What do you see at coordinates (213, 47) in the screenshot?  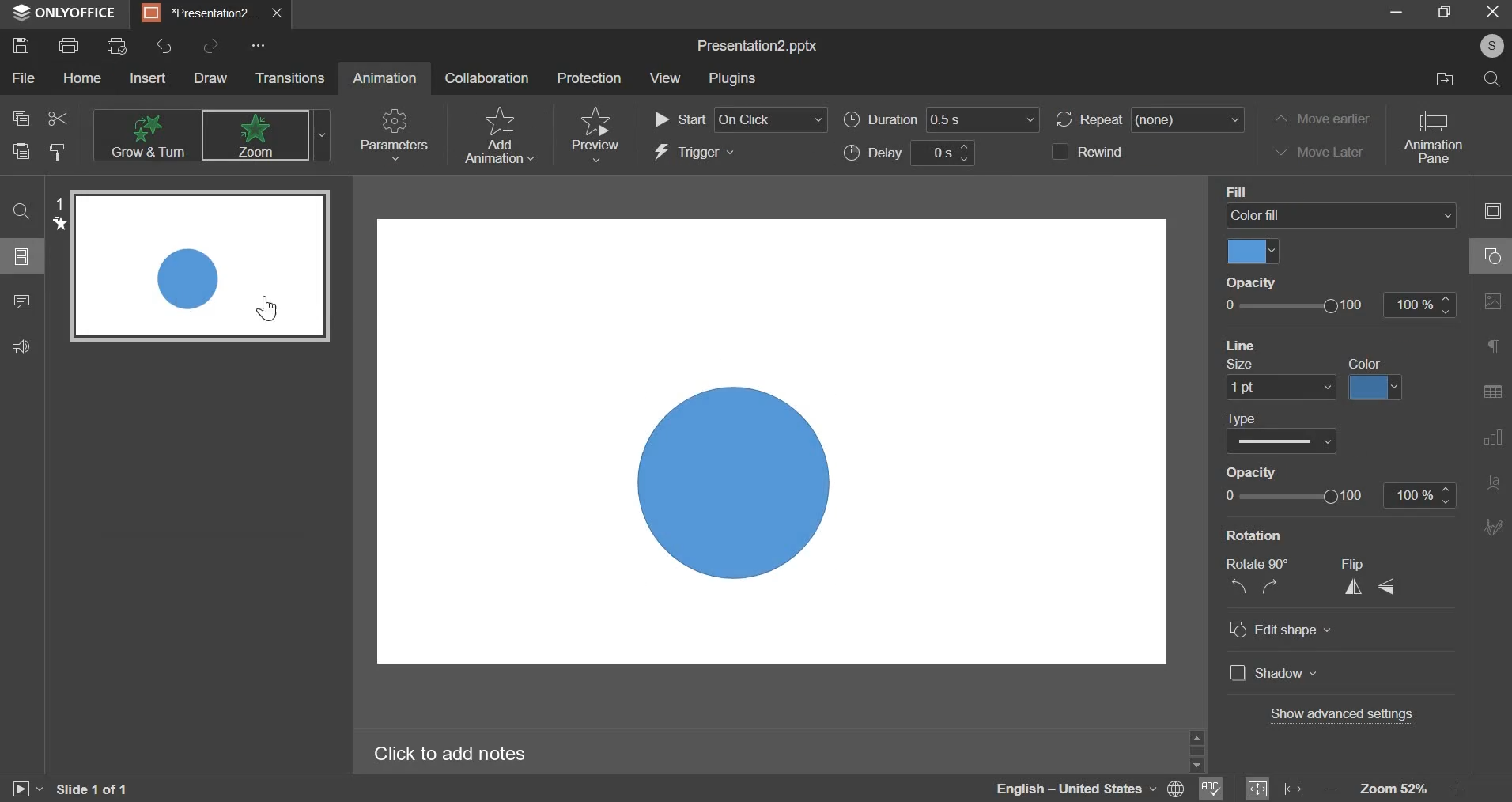 I see `redo` at bounding box center [213, 47].